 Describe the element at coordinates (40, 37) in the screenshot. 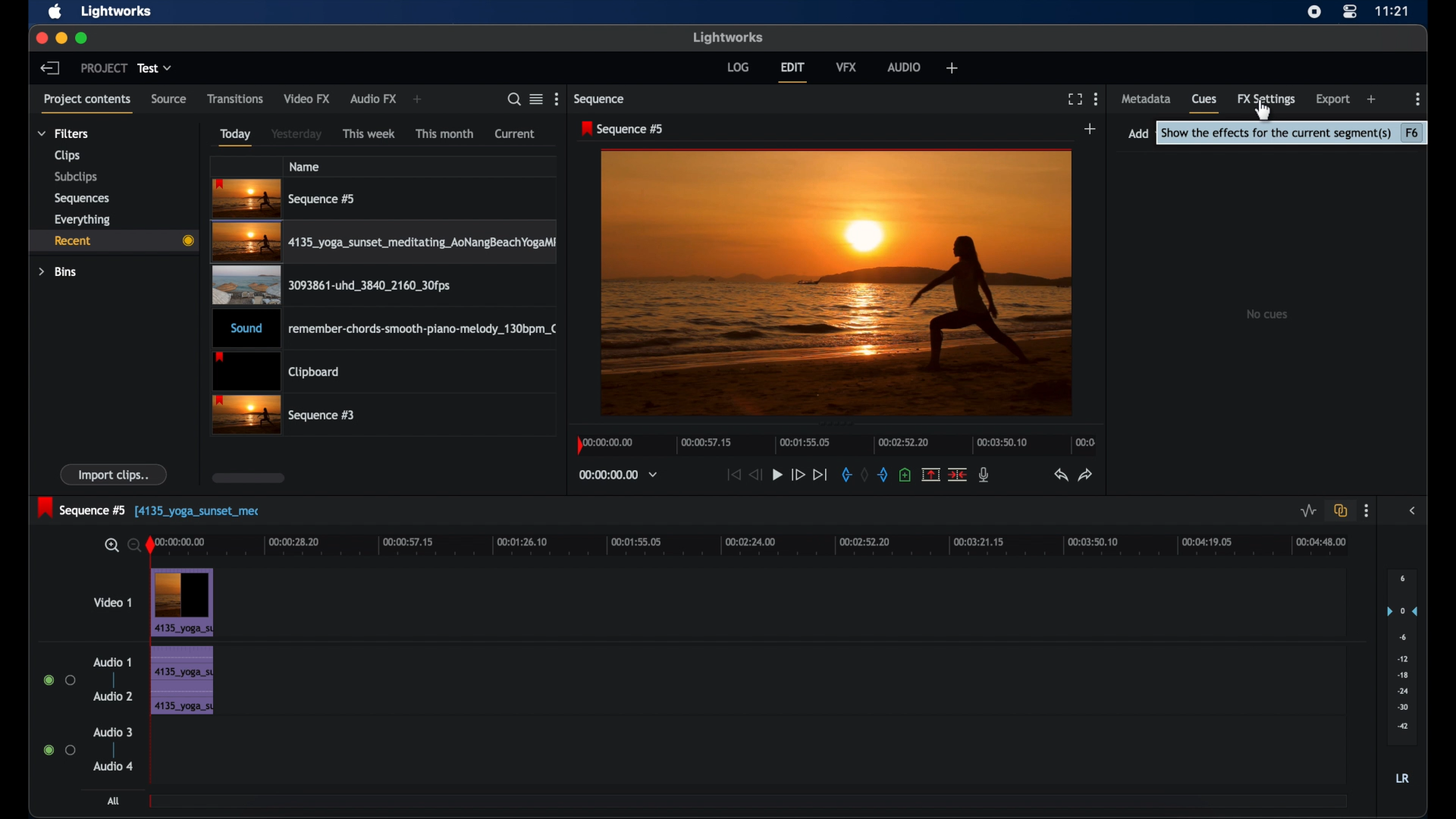

I see `close` at that location.